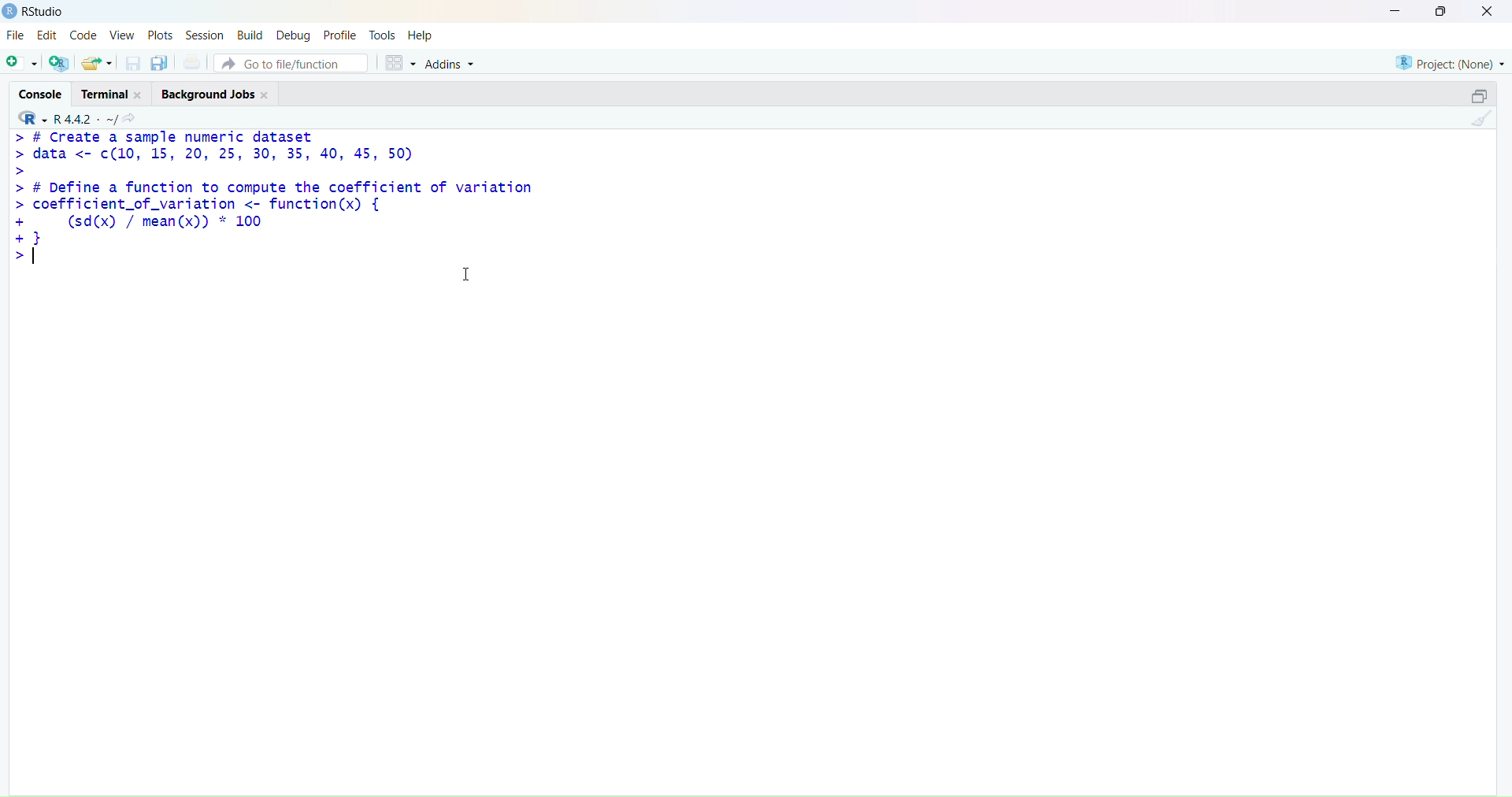  I want to click on add R file, so click(59, 64).